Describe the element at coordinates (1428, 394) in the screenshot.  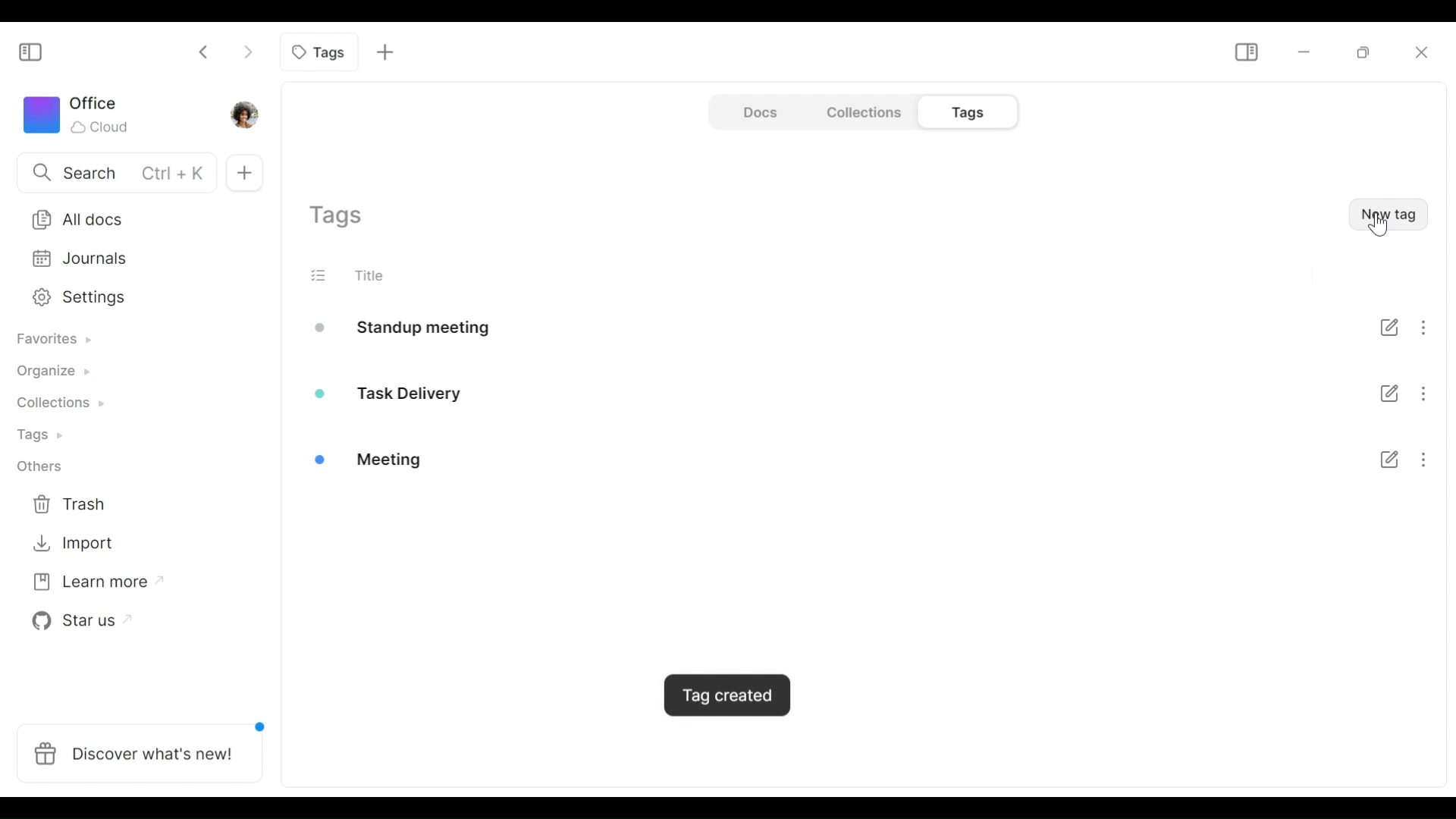
I see `More options` at that location.